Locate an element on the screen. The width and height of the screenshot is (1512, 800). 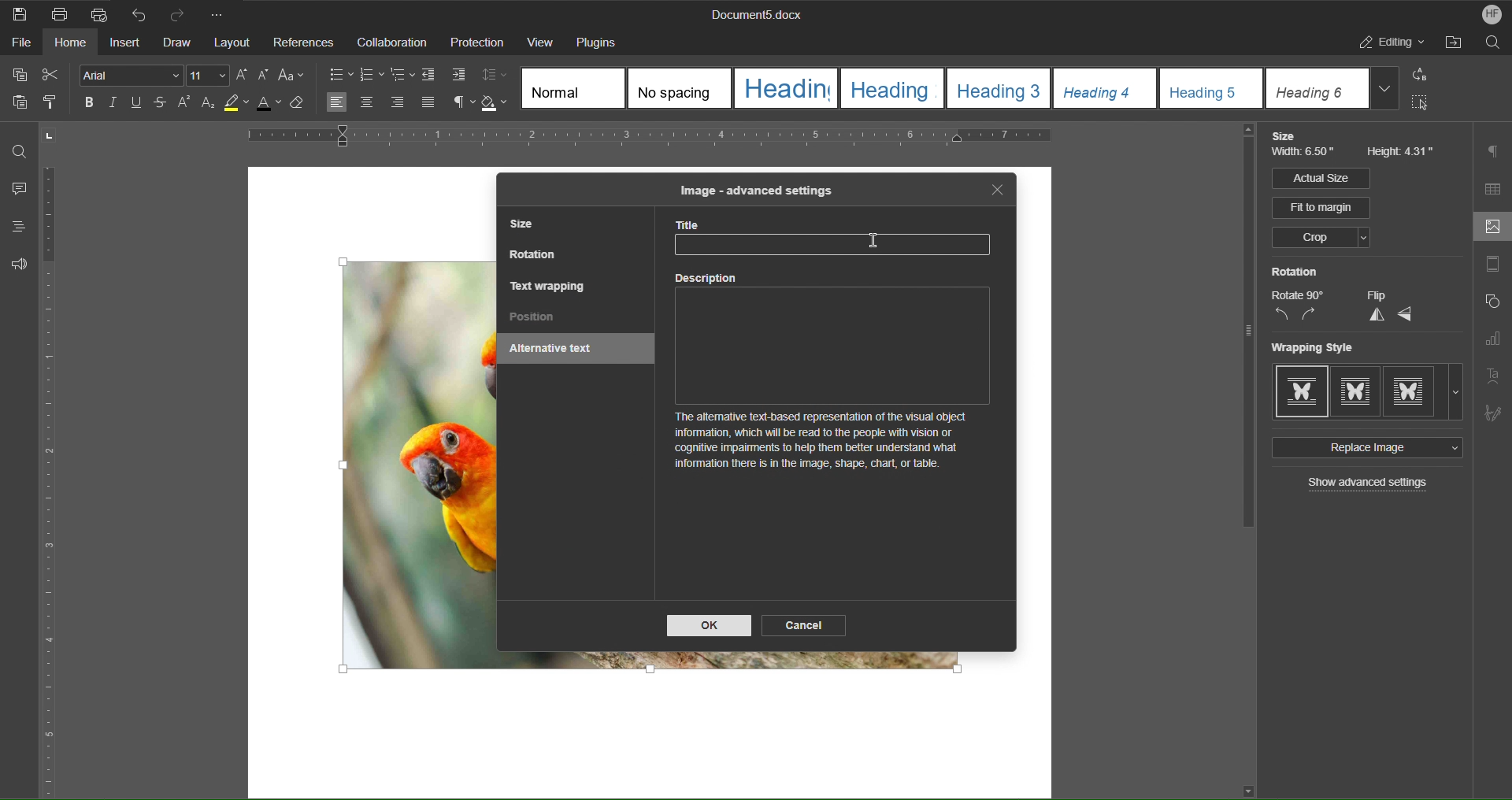
Subscript is located at coordinates (209, 106).